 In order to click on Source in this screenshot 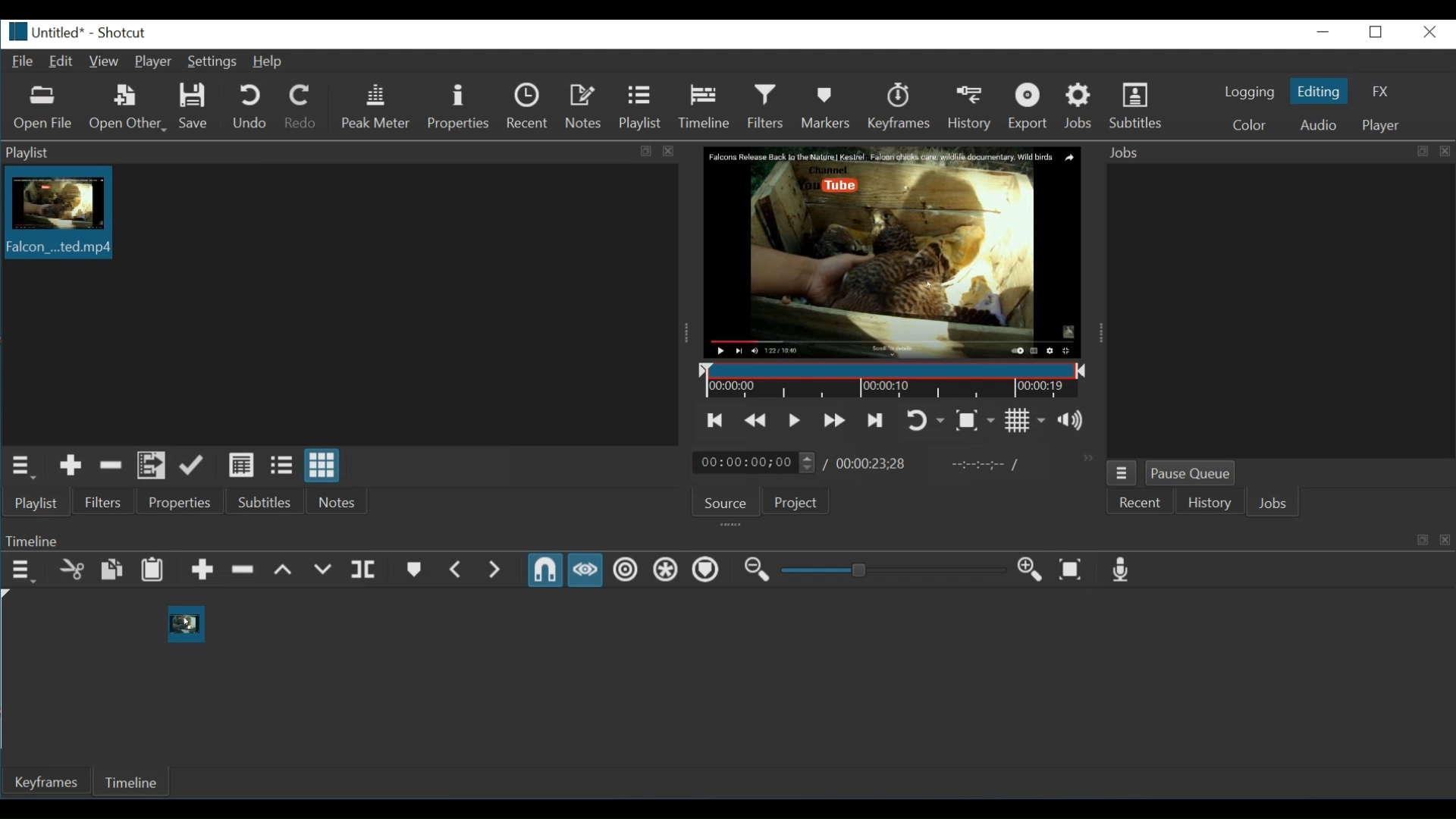, I will do `click(726, 504)`.